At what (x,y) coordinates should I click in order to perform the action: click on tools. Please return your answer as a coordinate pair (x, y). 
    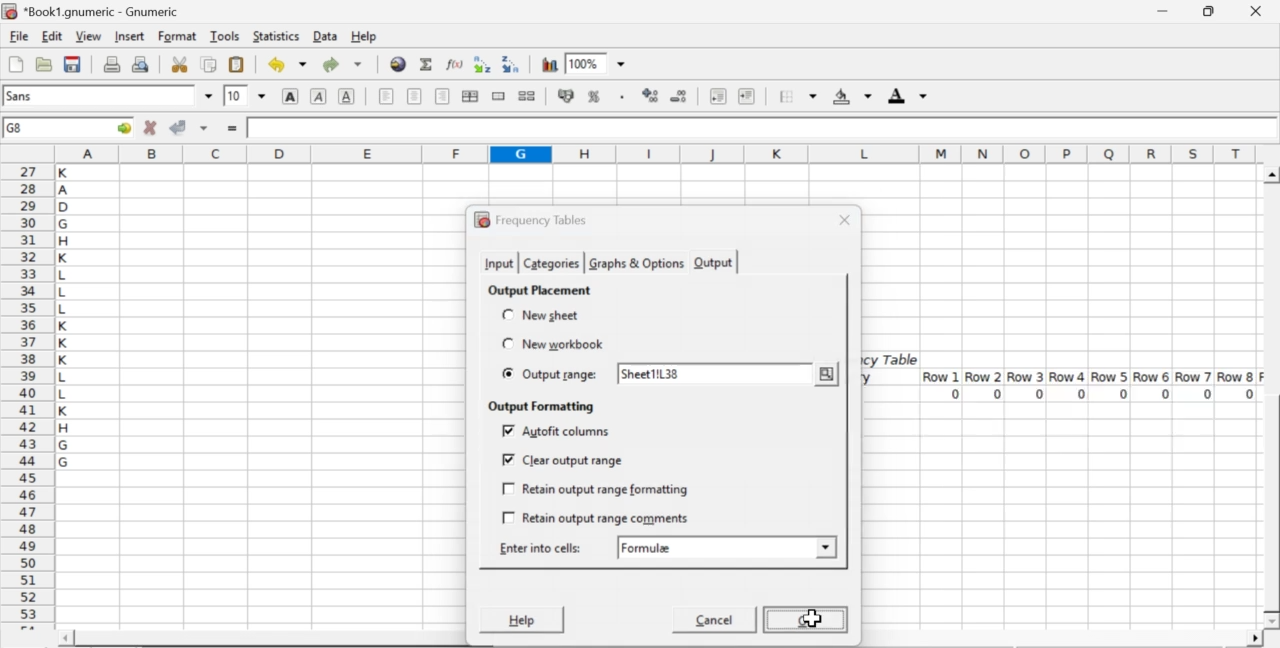
    Looking at the image, I should click on (226, 35).